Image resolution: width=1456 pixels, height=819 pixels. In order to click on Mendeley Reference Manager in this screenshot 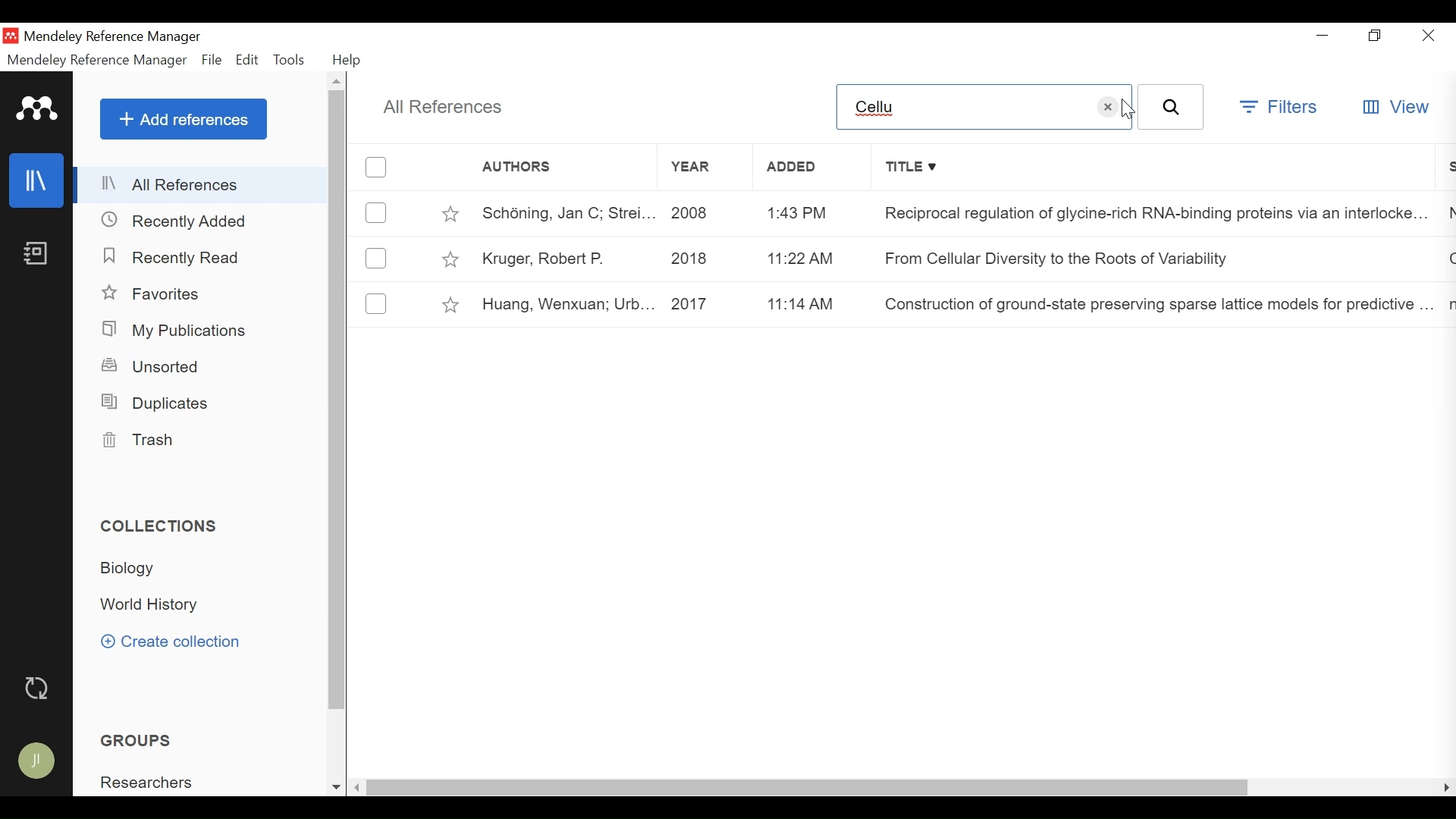, I will do `click(97, 61)`.